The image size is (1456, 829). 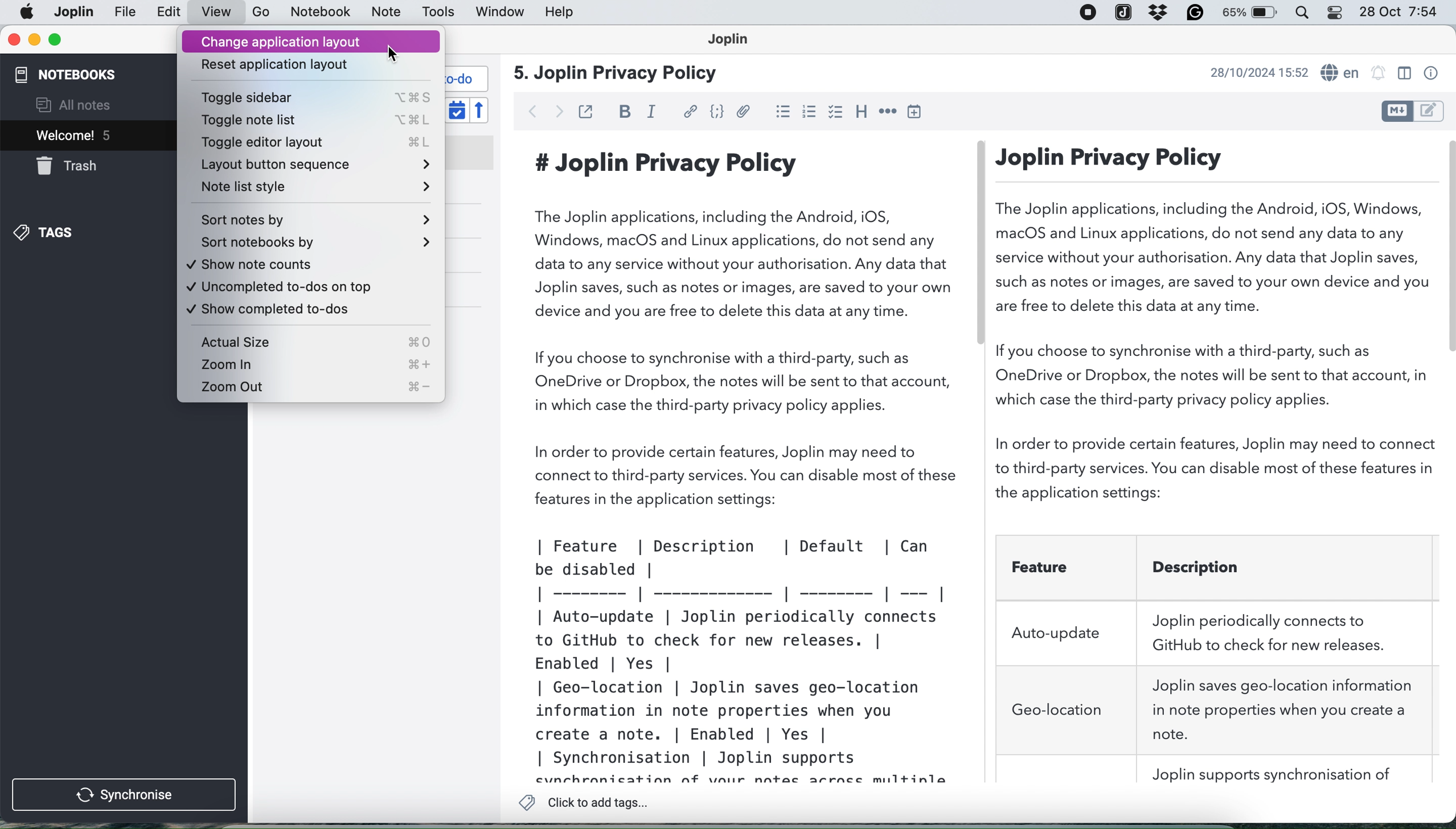 What do you see at coordinates (586, 112) in the screenshot?
I see `toggle external editing` at bounding box center [586, 112].